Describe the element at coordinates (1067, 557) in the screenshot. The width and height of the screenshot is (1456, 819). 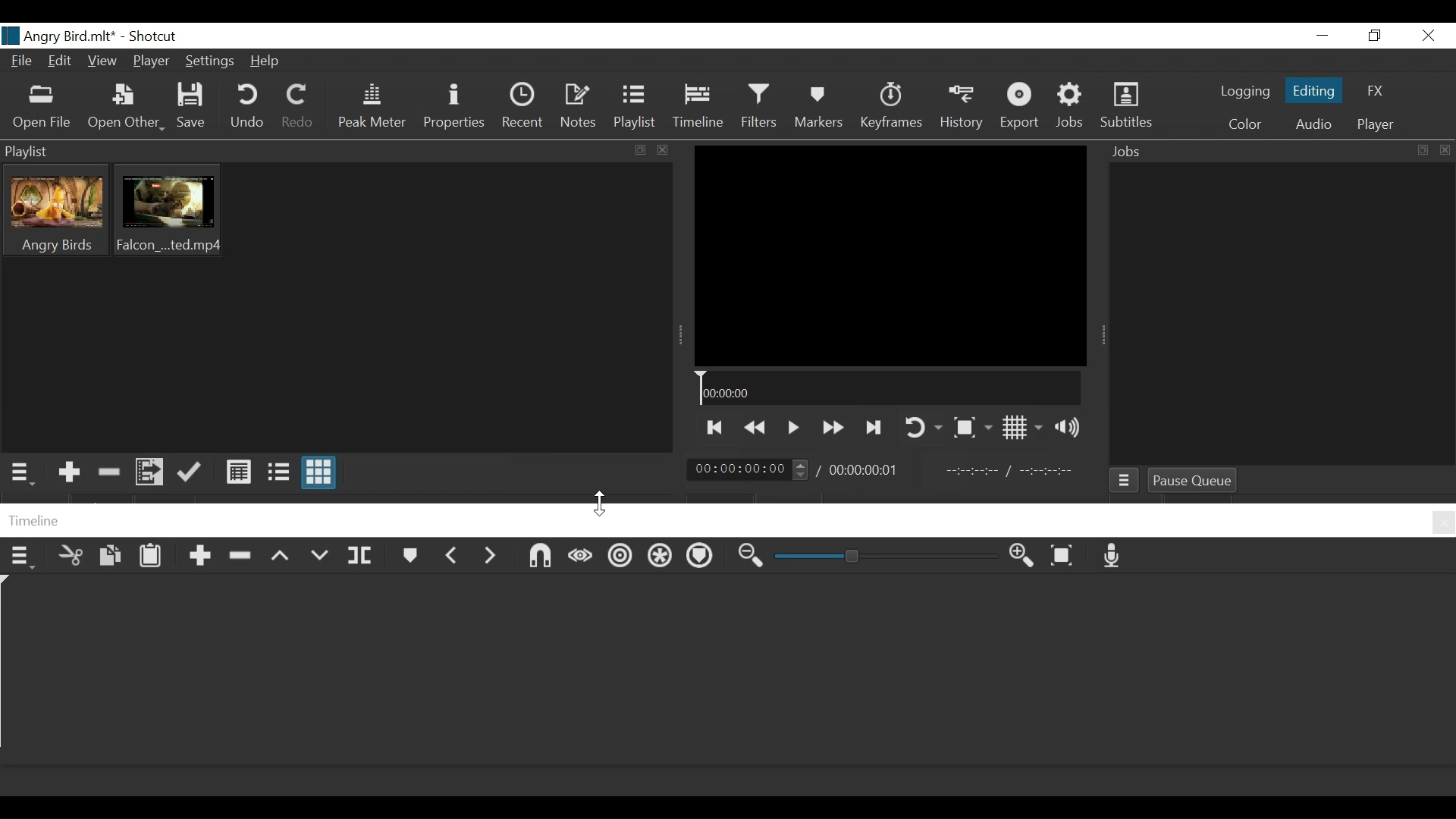
I see `Zoom timeline to fit` at that location.